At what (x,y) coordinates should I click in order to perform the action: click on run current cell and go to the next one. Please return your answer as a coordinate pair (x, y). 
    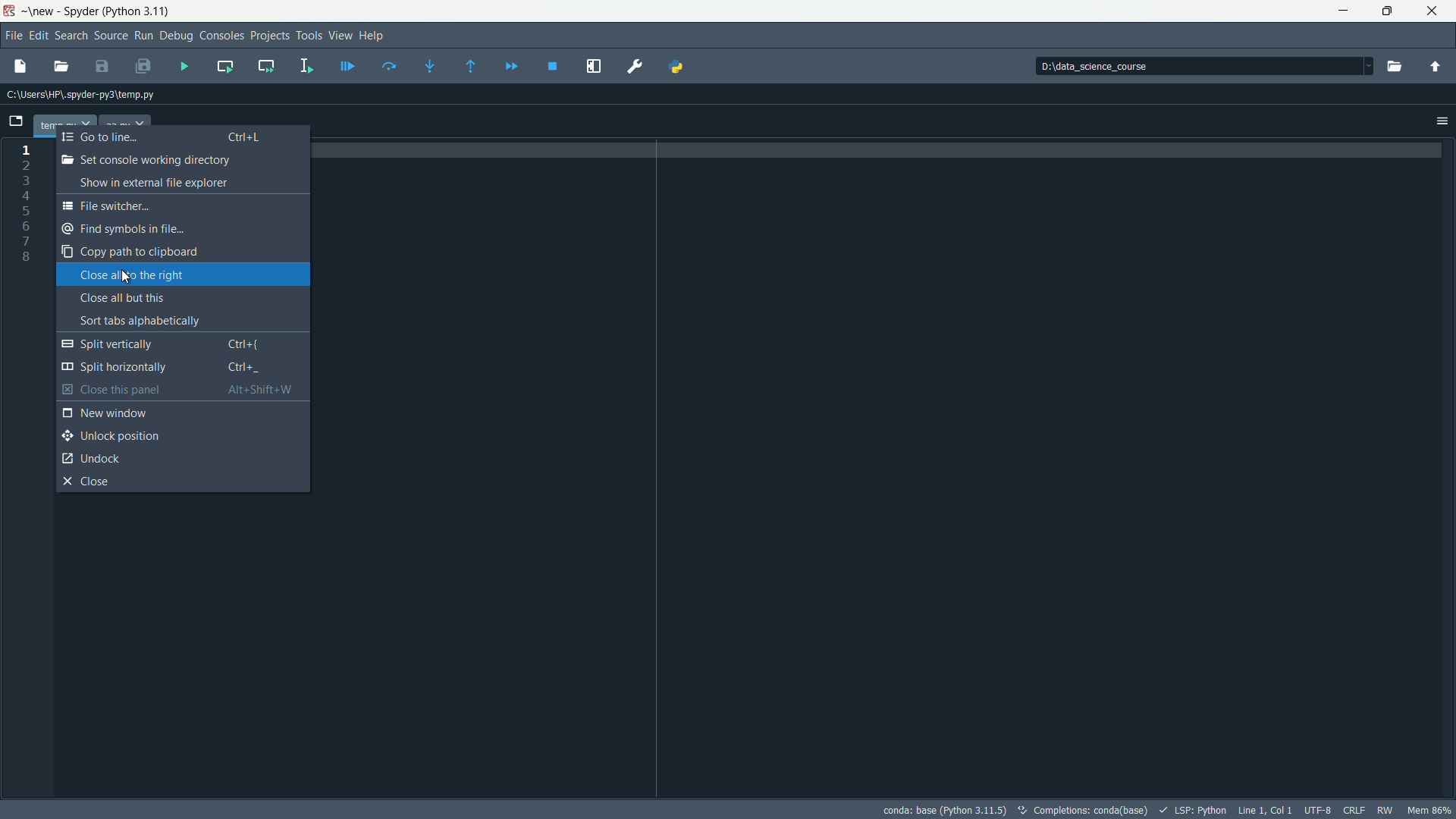
    Looking at the image, I should click on (267, 67).